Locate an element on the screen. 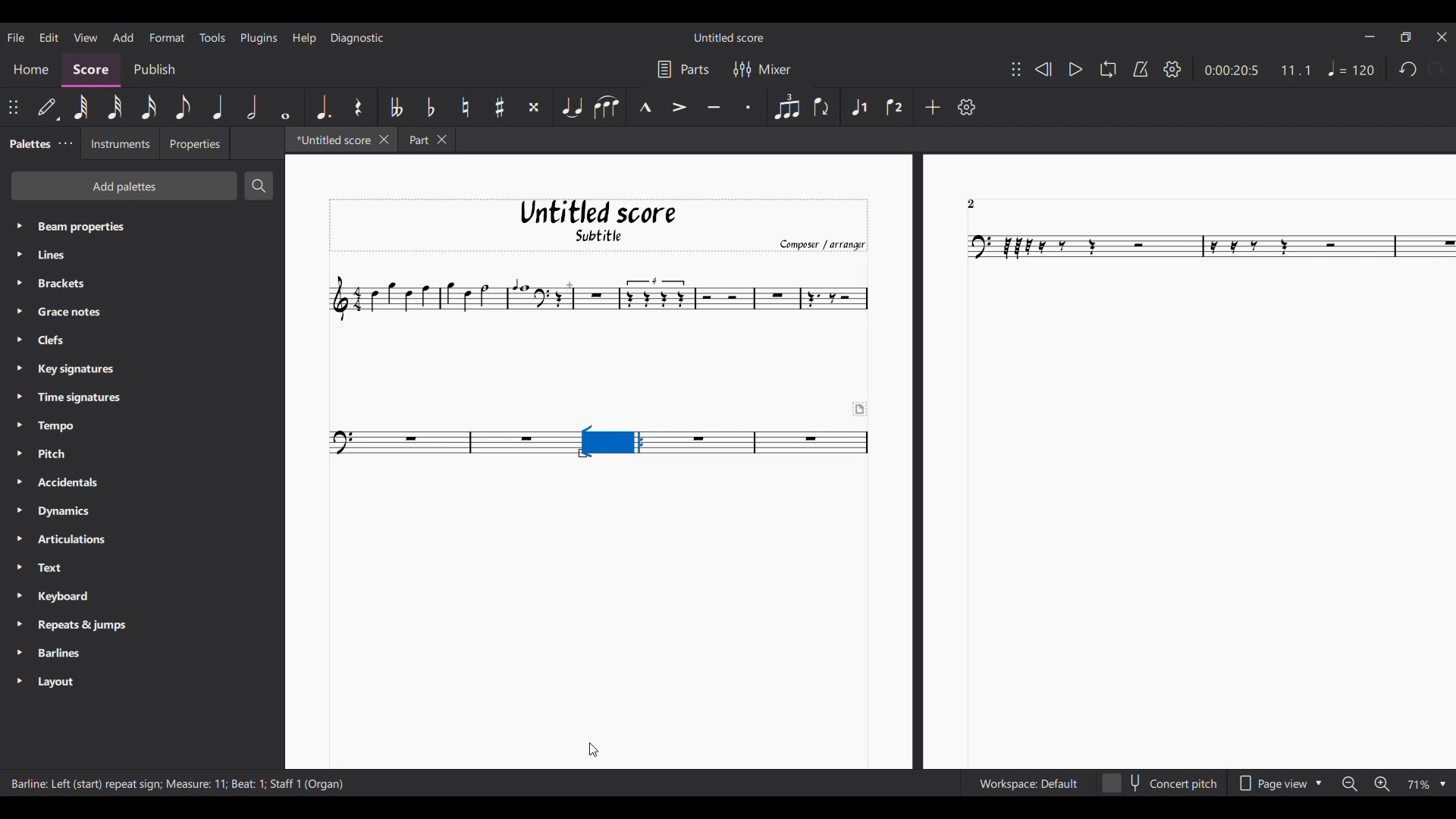 The image size is (1456, 819). Accent is located at coordinates (680, 106).